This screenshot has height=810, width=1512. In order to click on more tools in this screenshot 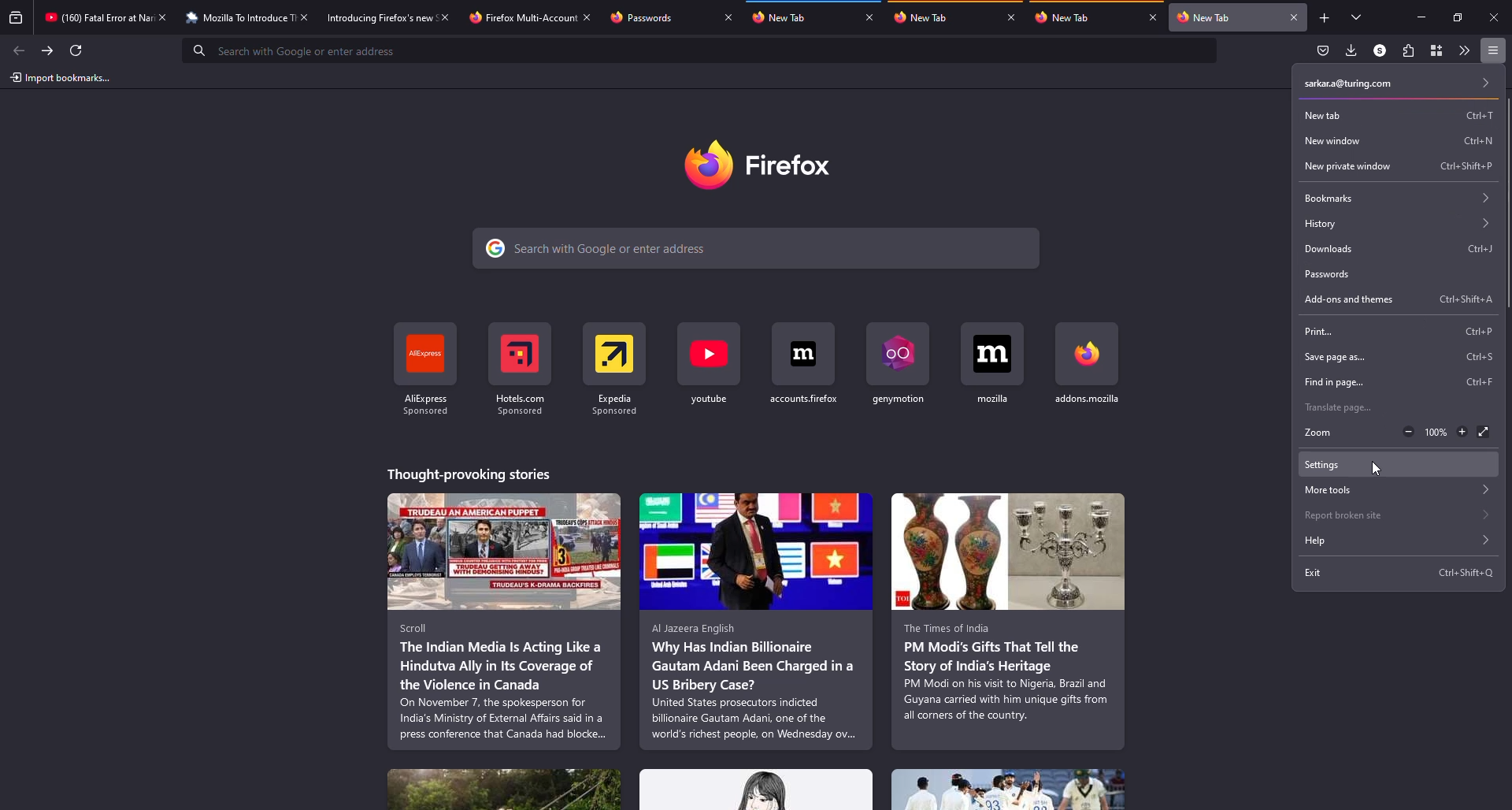, I will do `click(1464, 50)`.